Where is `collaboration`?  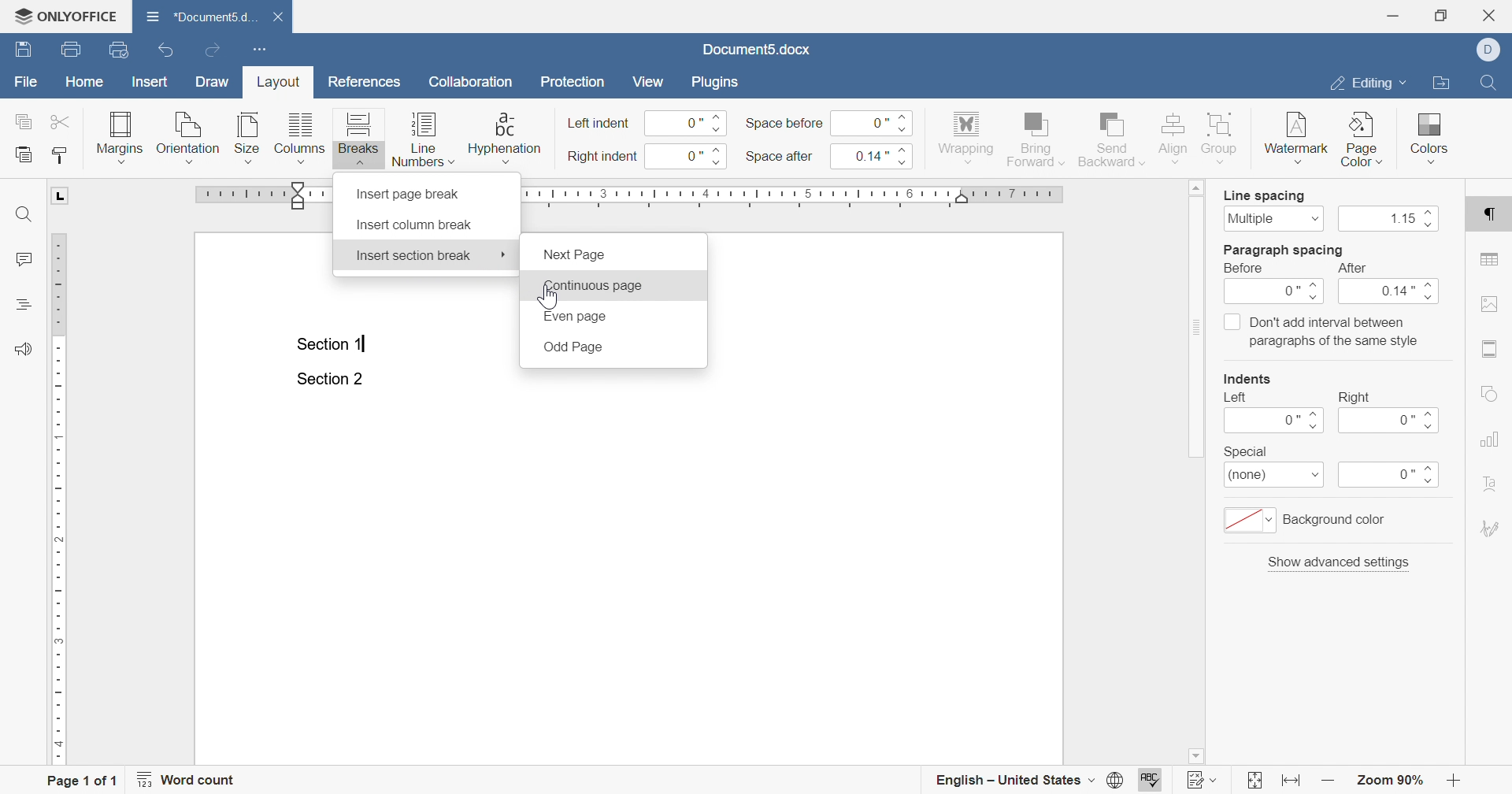
collaboration is located at coordinates (476, 85).